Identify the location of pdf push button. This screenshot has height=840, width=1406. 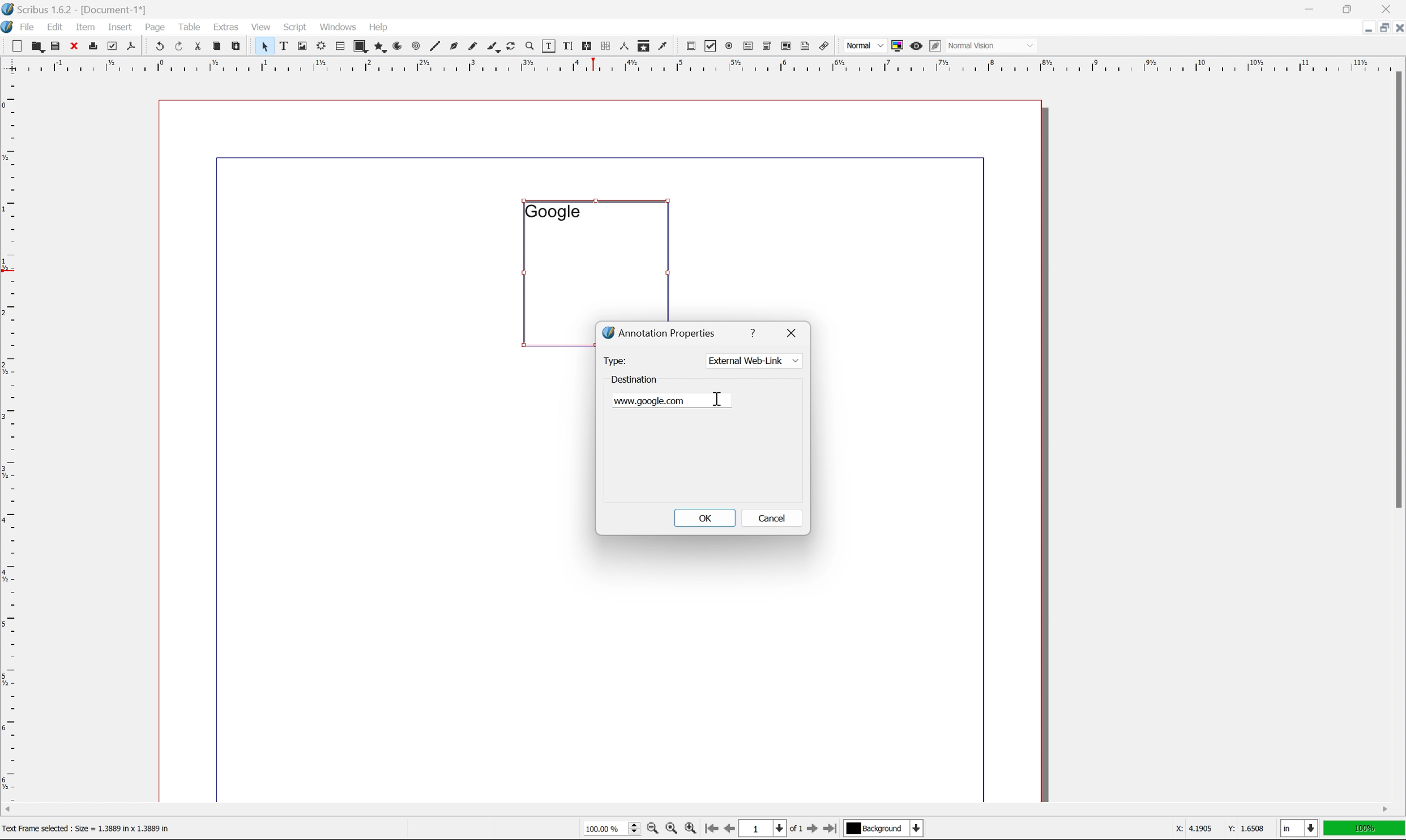
(687, 45).